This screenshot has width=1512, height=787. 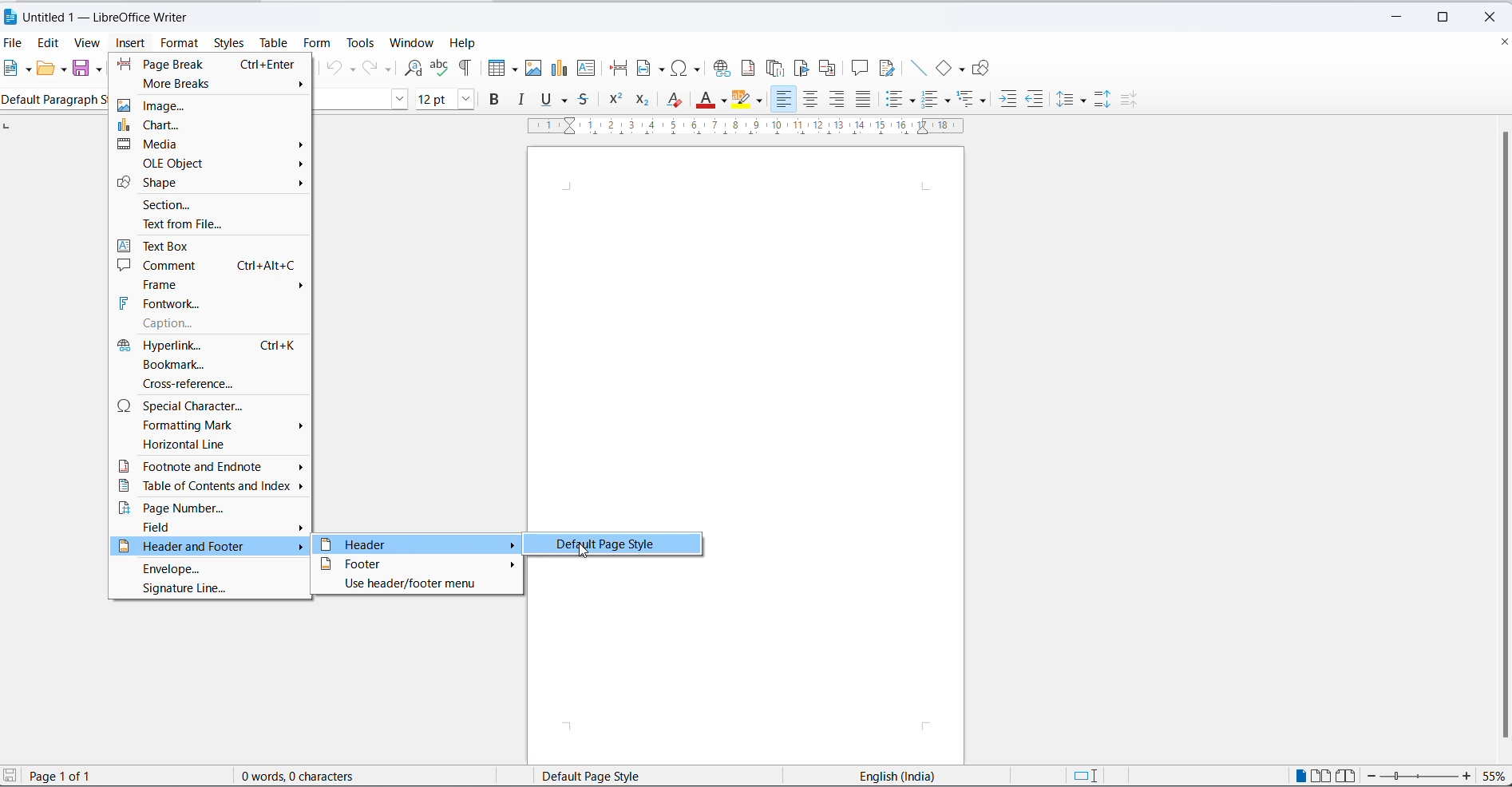 What do you see at coordinates (975, 101) in the screenshot?
I see `select outline format` at bounding box center [975, 101].